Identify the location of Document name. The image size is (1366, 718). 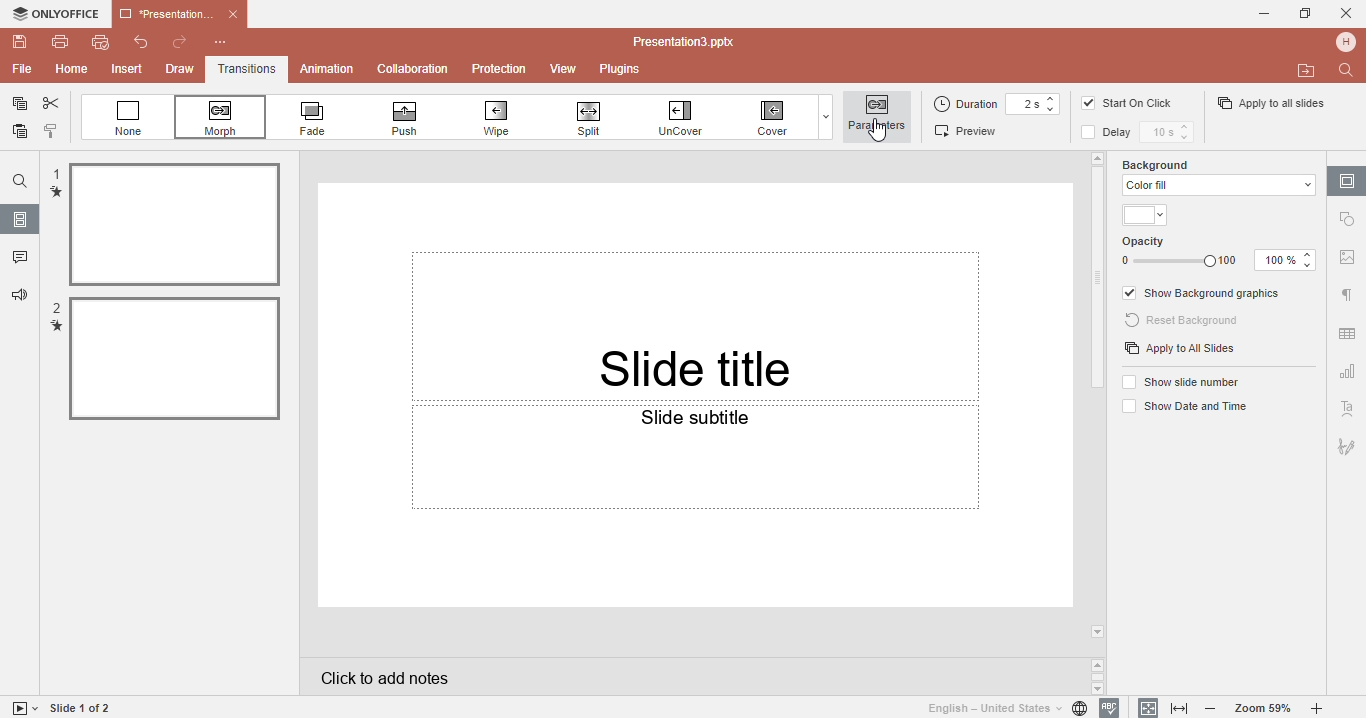
(689, 42).